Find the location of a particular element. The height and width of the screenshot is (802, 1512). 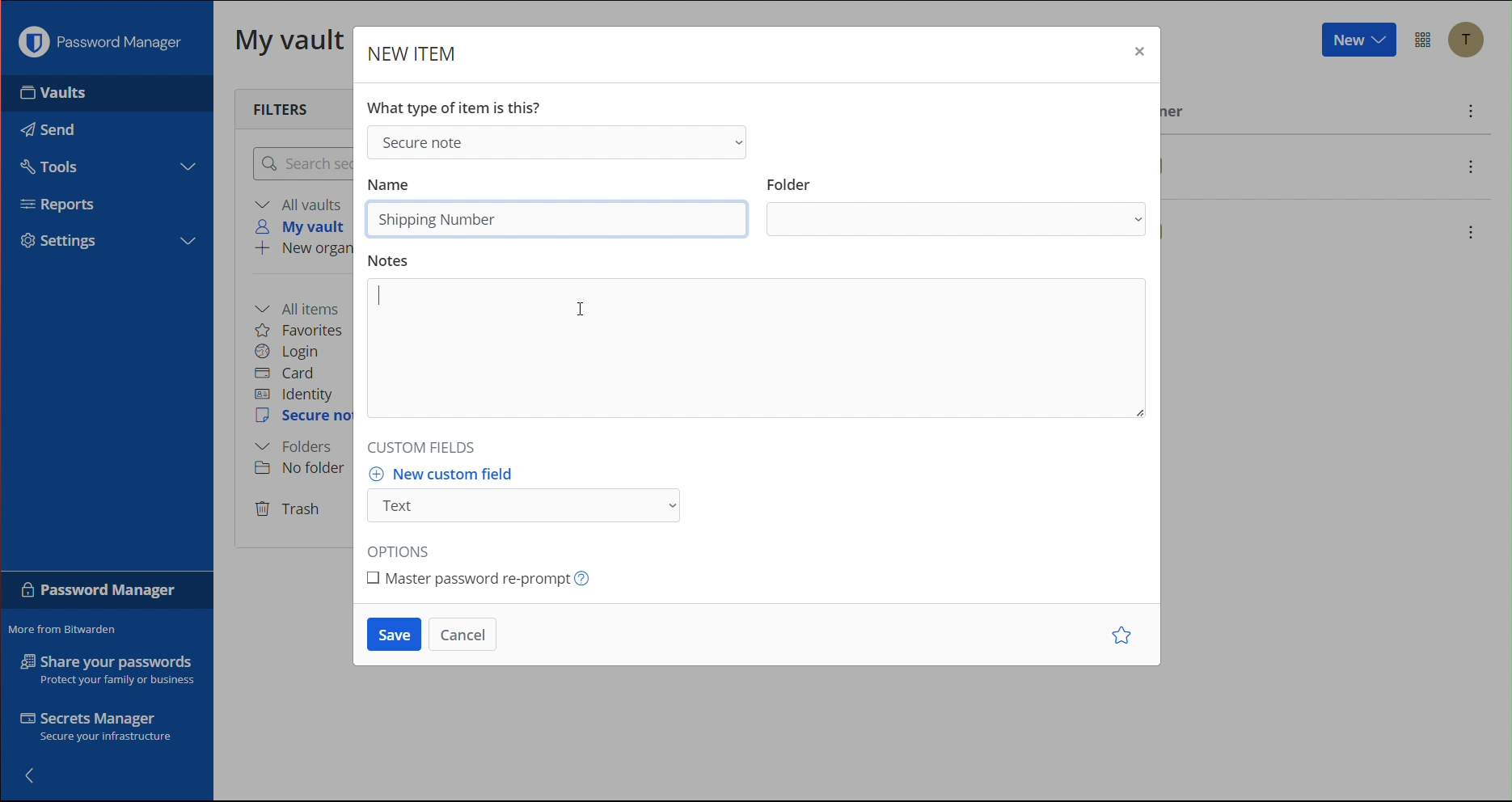

New organization is located at coordinates (305, 249).